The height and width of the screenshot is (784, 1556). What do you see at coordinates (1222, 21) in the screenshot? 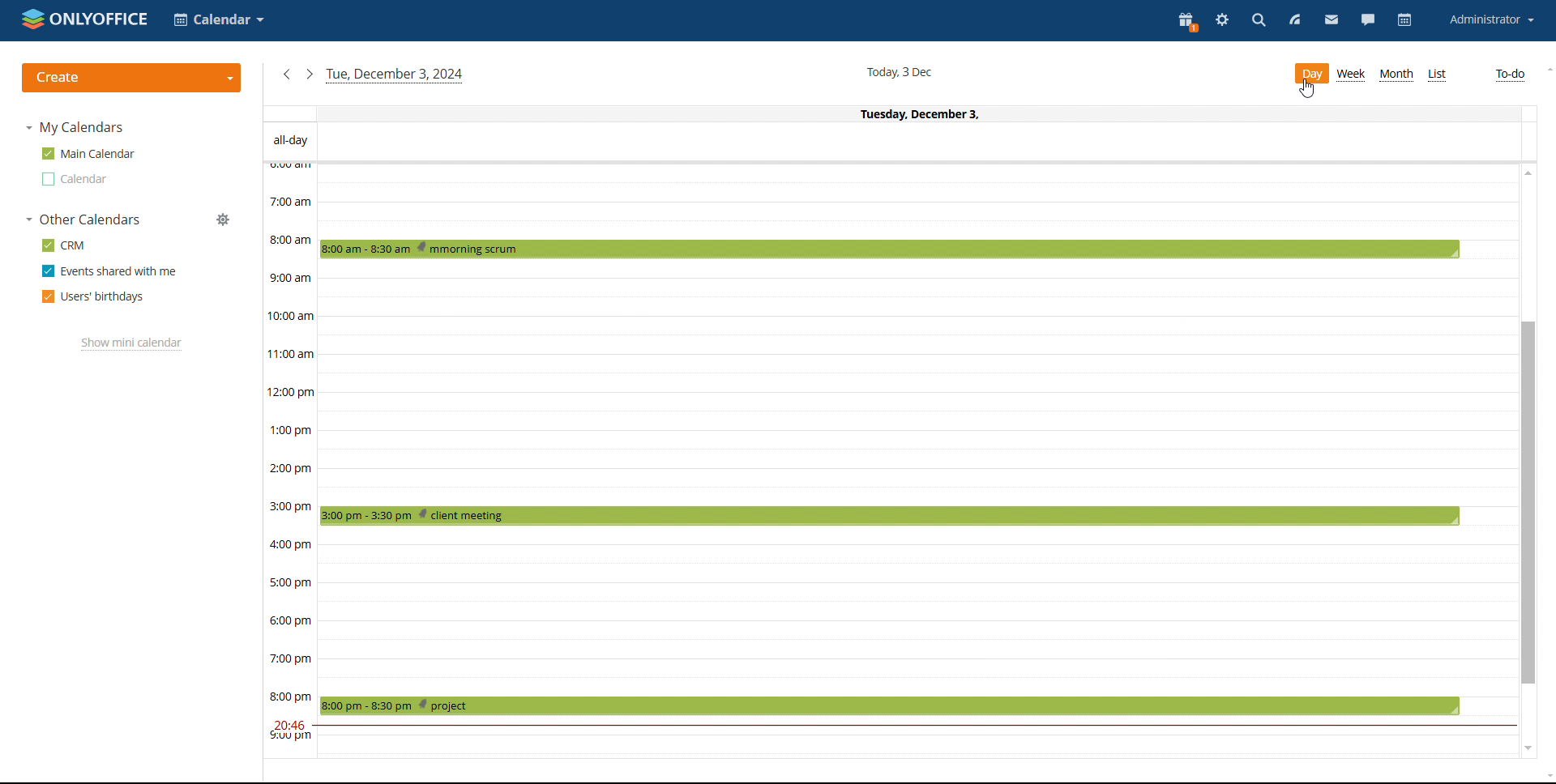
I see `settings` at bounding box center [1222, 21].